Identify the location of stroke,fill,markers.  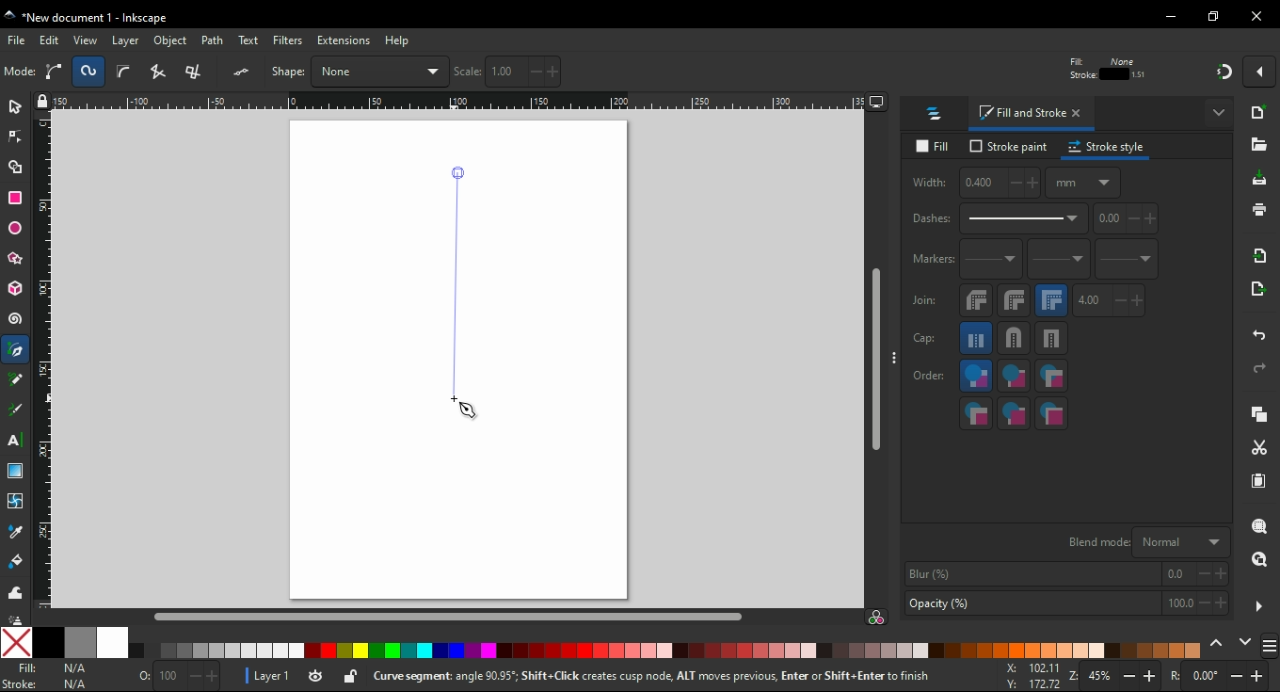
(1014, 377).